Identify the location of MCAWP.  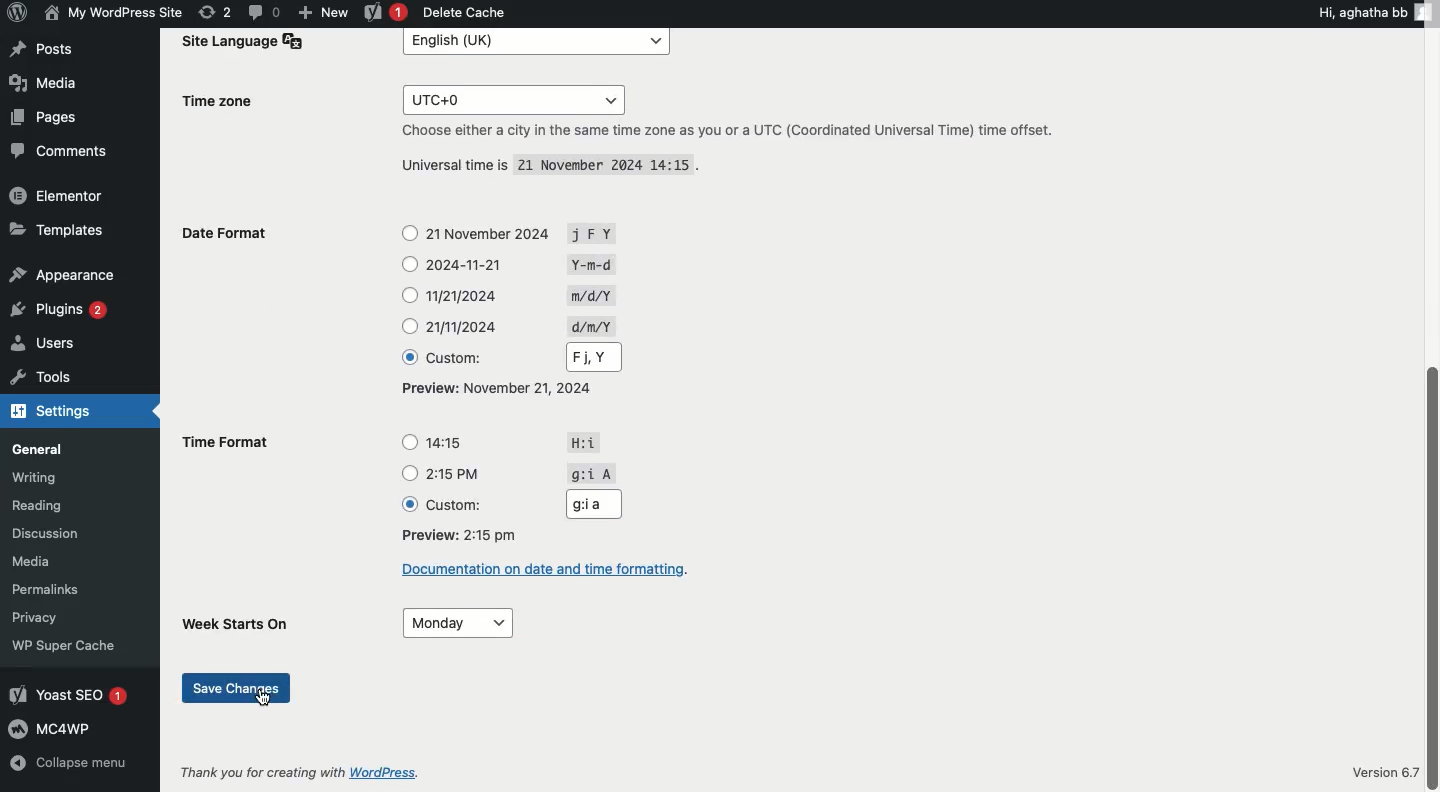
(58, 729).